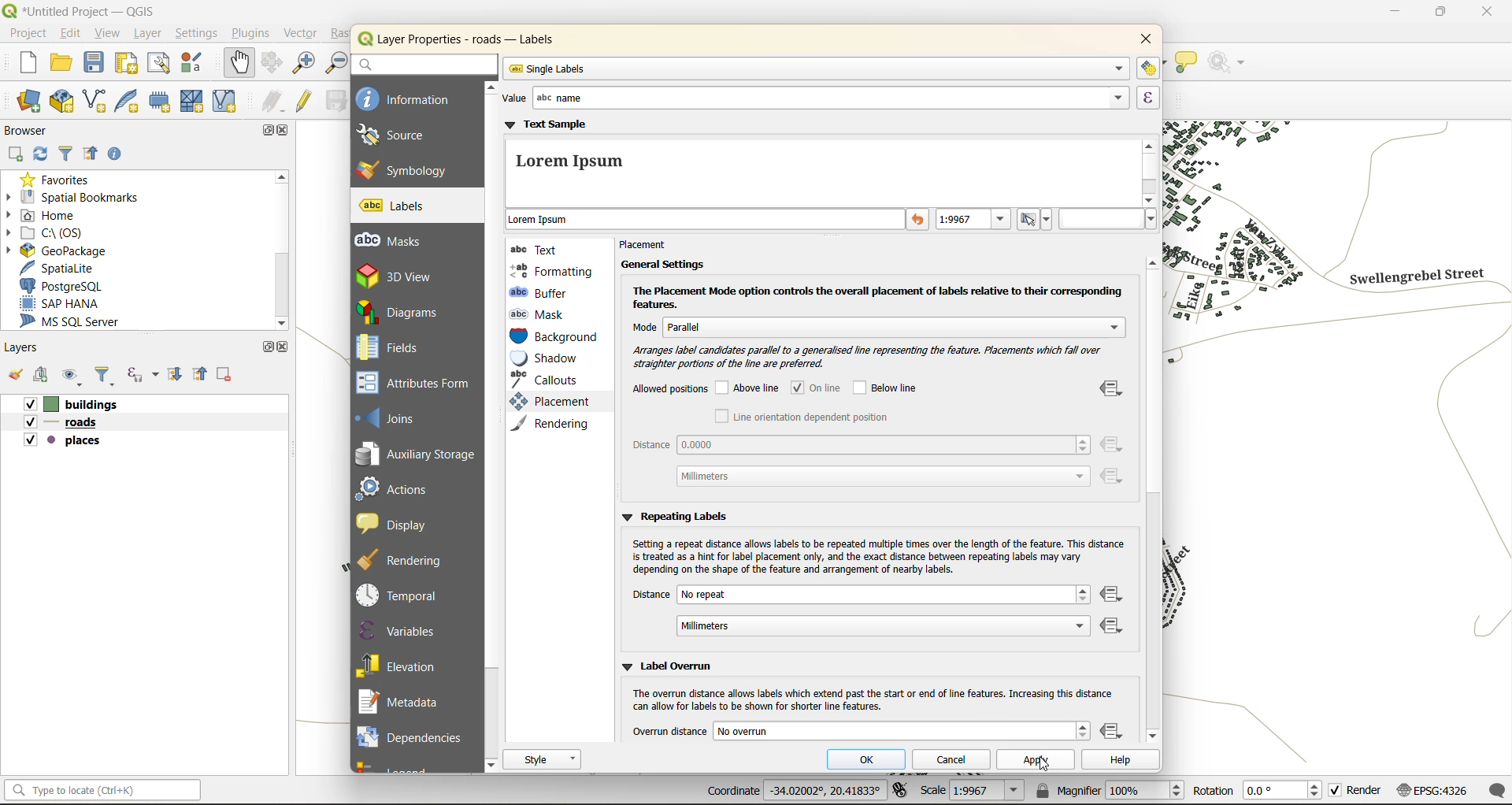 Image resolution: width=1512 pixels, height=805 pixels. I want to click on browser, so click(28, 133).